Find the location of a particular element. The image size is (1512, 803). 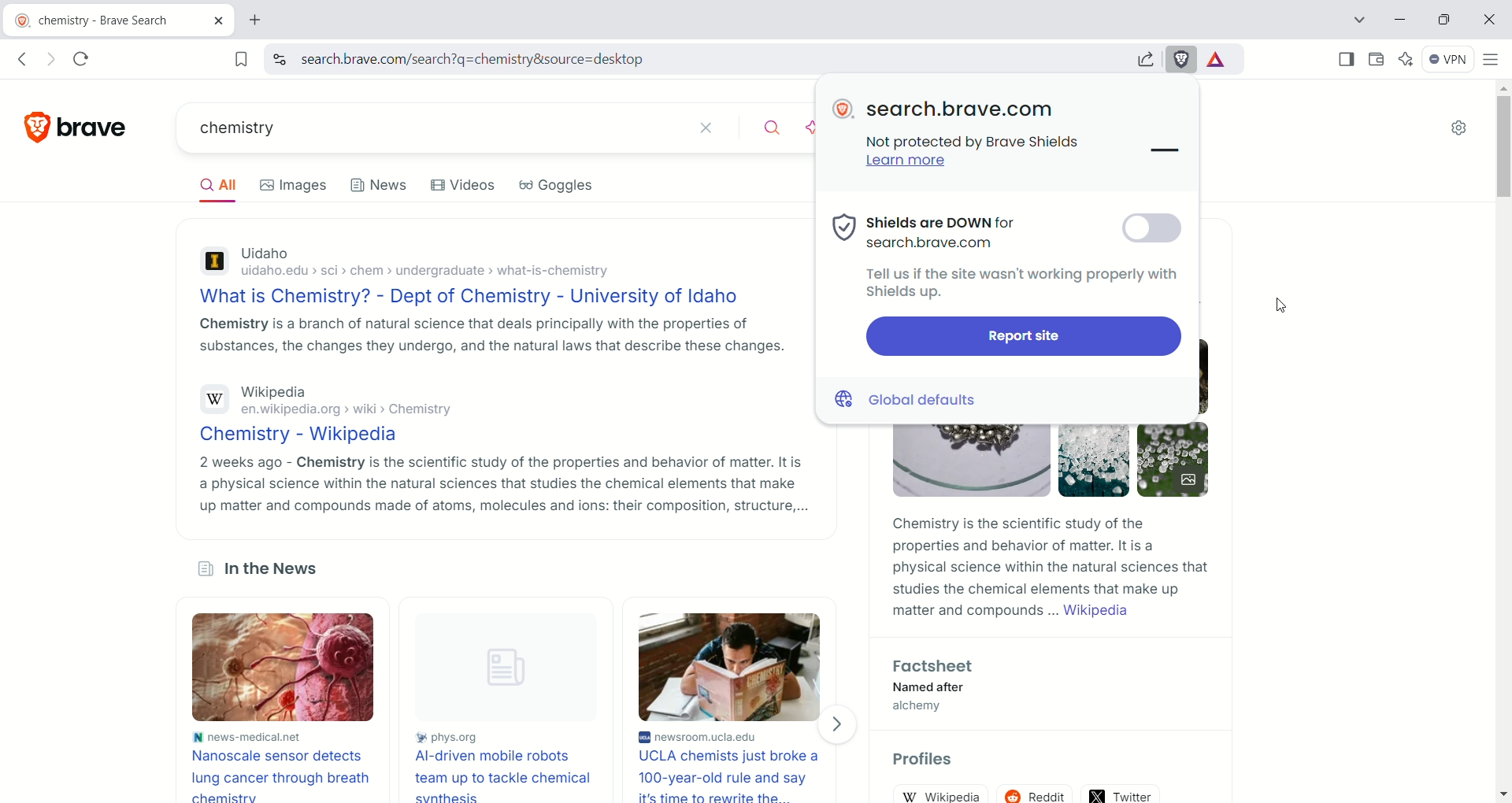

close is located at coordinates (1489, 19).